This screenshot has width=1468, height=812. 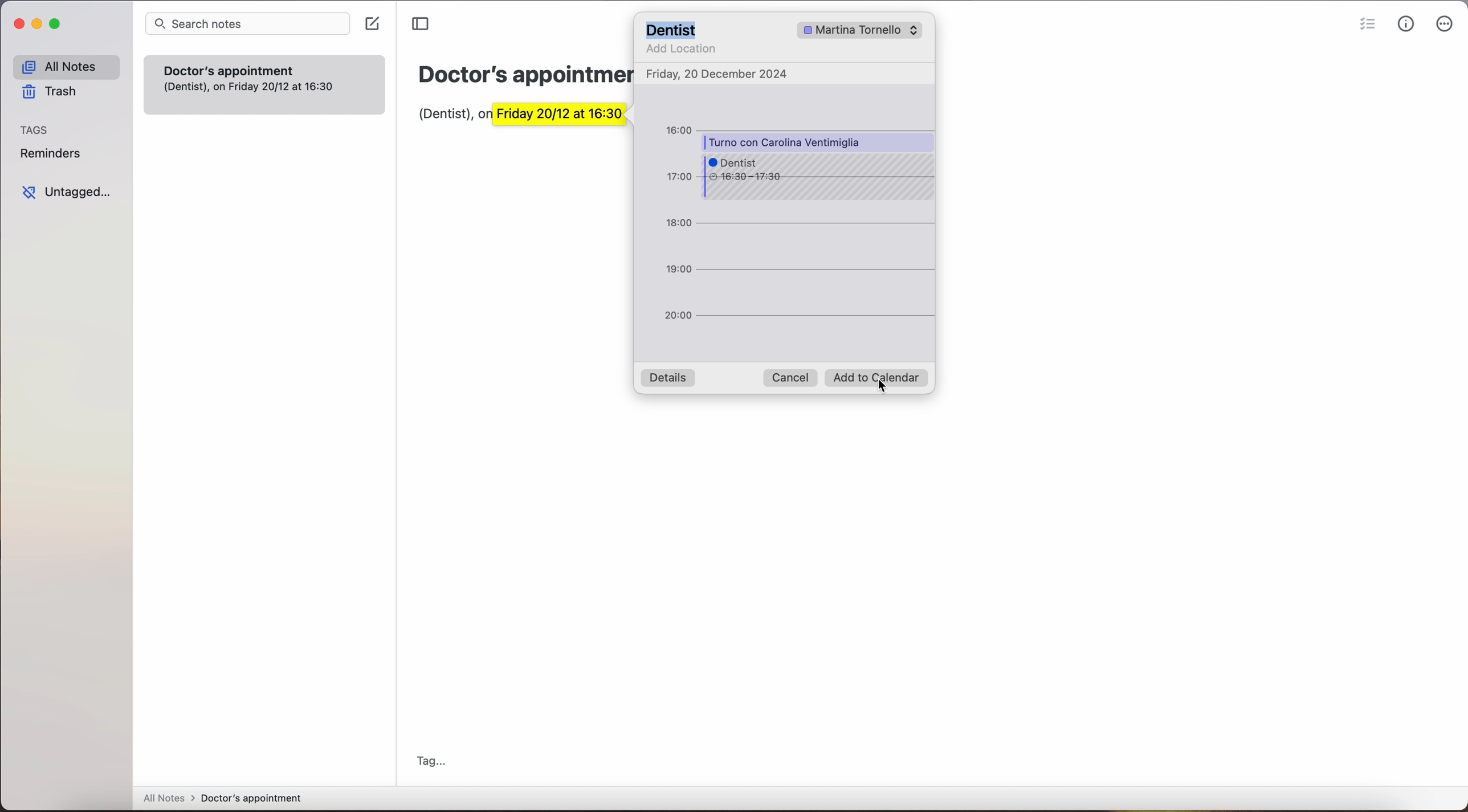 What do you see at coordinates (372, 24) in the screenshot?
I see `create note` at bounding box center [372, 24].